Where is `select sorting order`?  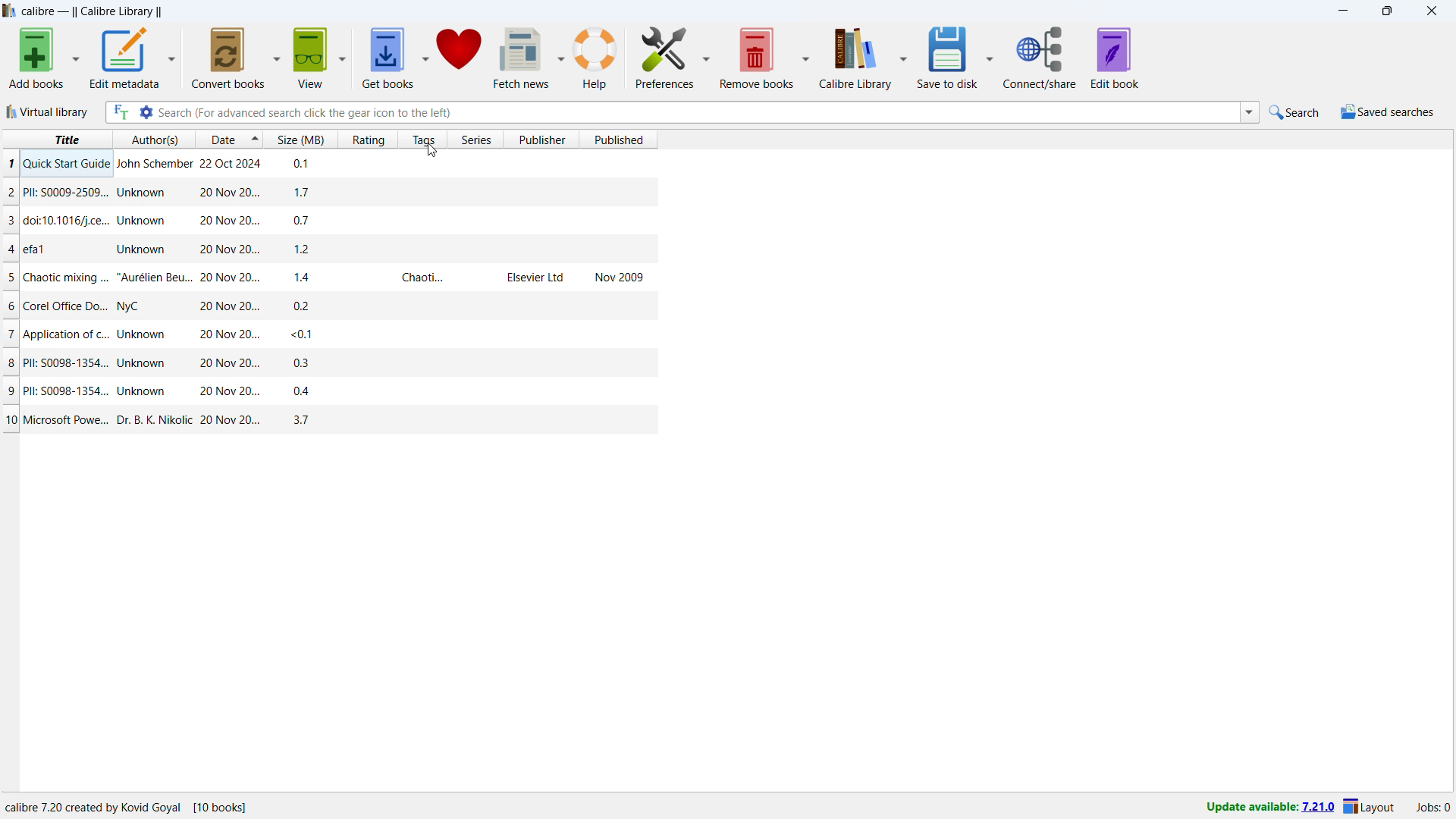 select sorting order is located at coordinates (255, 139).